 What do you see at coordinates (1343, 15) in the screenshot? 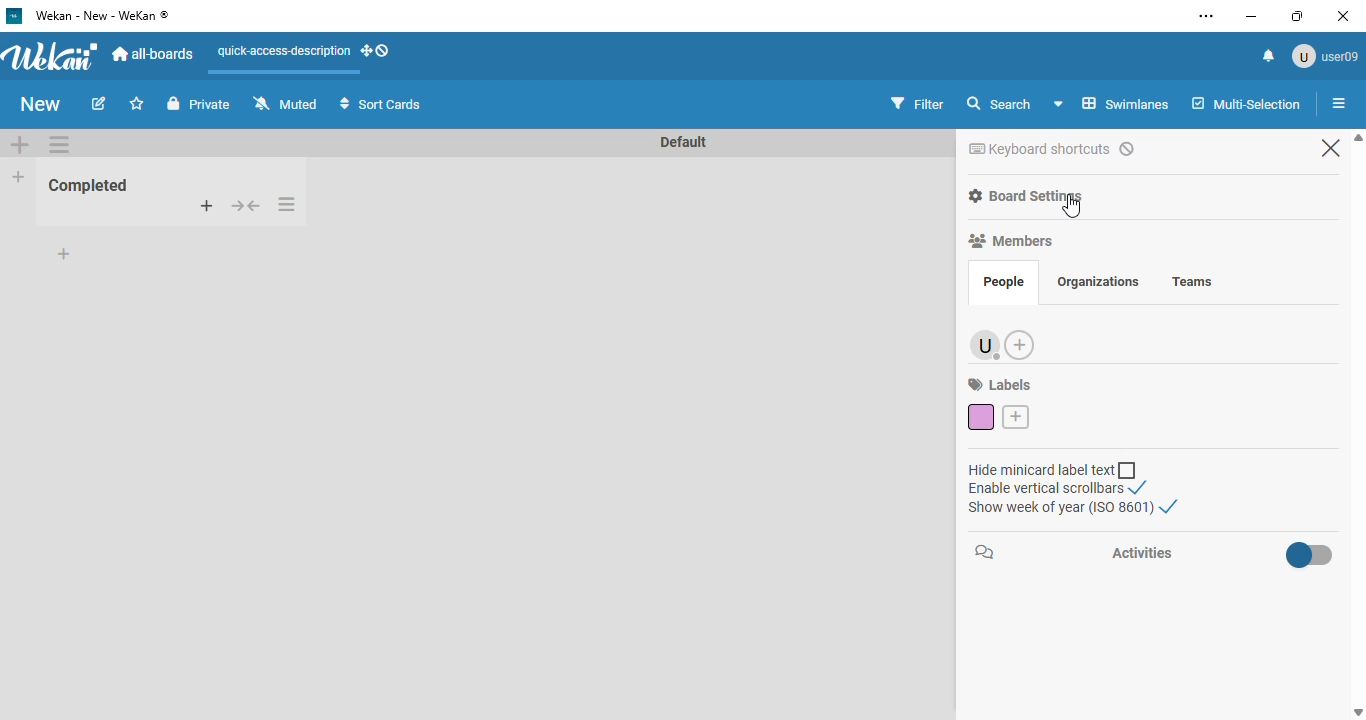
I see `close` at bounding box center [1343, 15].